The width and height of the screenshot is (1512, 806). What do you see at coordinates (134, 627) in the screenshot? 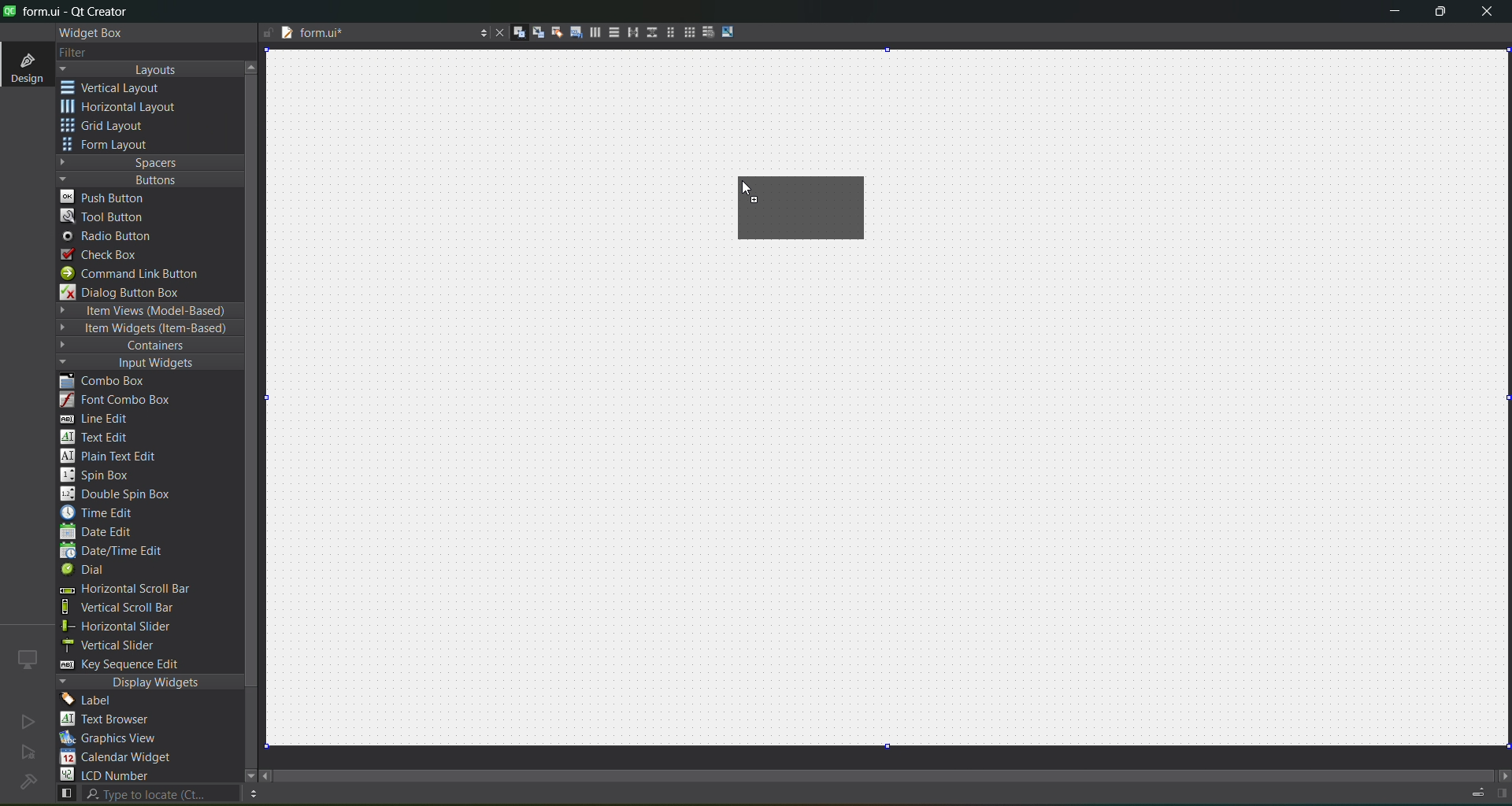
I see `horizontal slider` at bounding box center [134, 627].